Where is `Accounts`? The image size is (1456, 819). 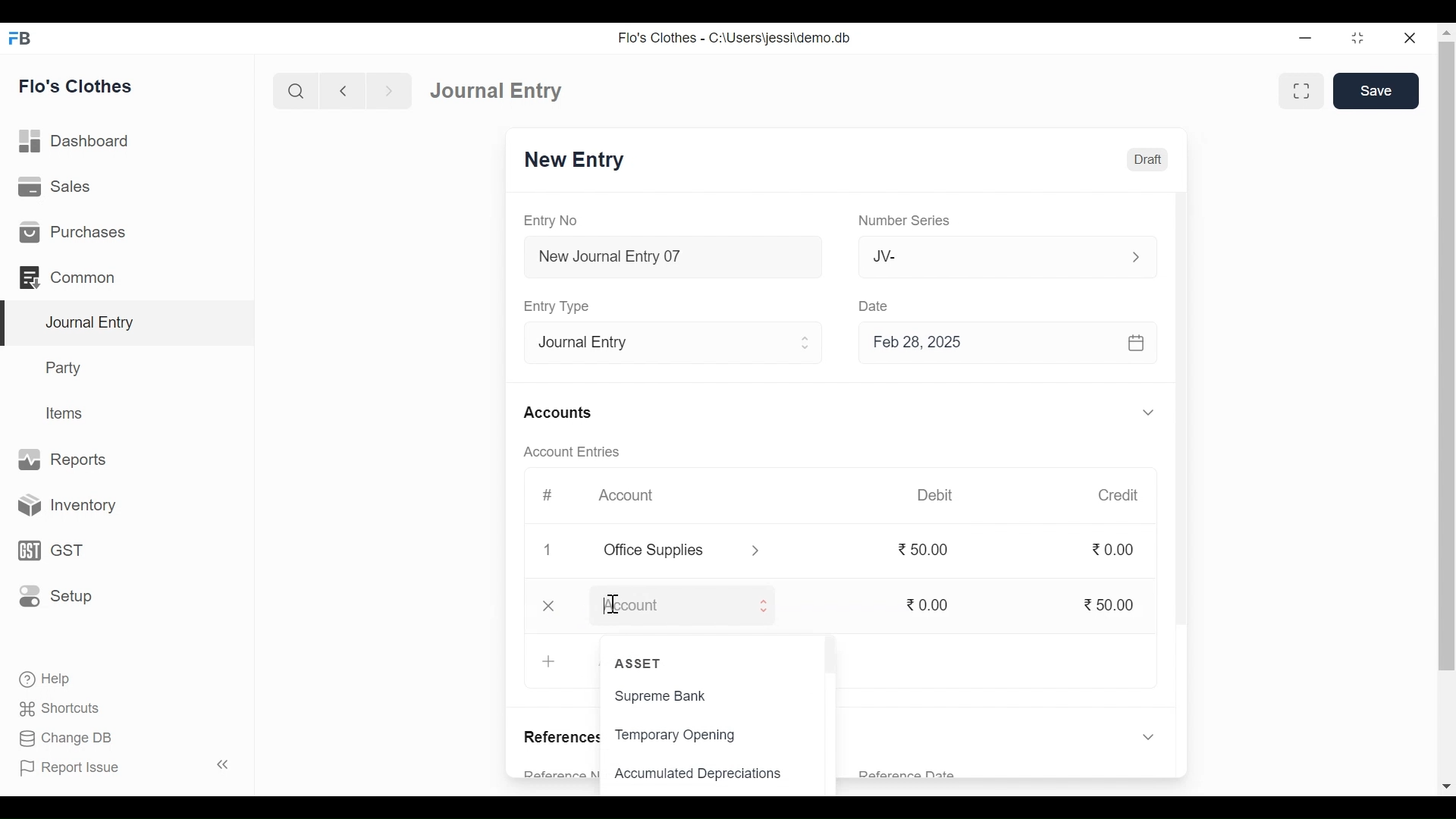 Accounts is located at coordinates (561, 413).